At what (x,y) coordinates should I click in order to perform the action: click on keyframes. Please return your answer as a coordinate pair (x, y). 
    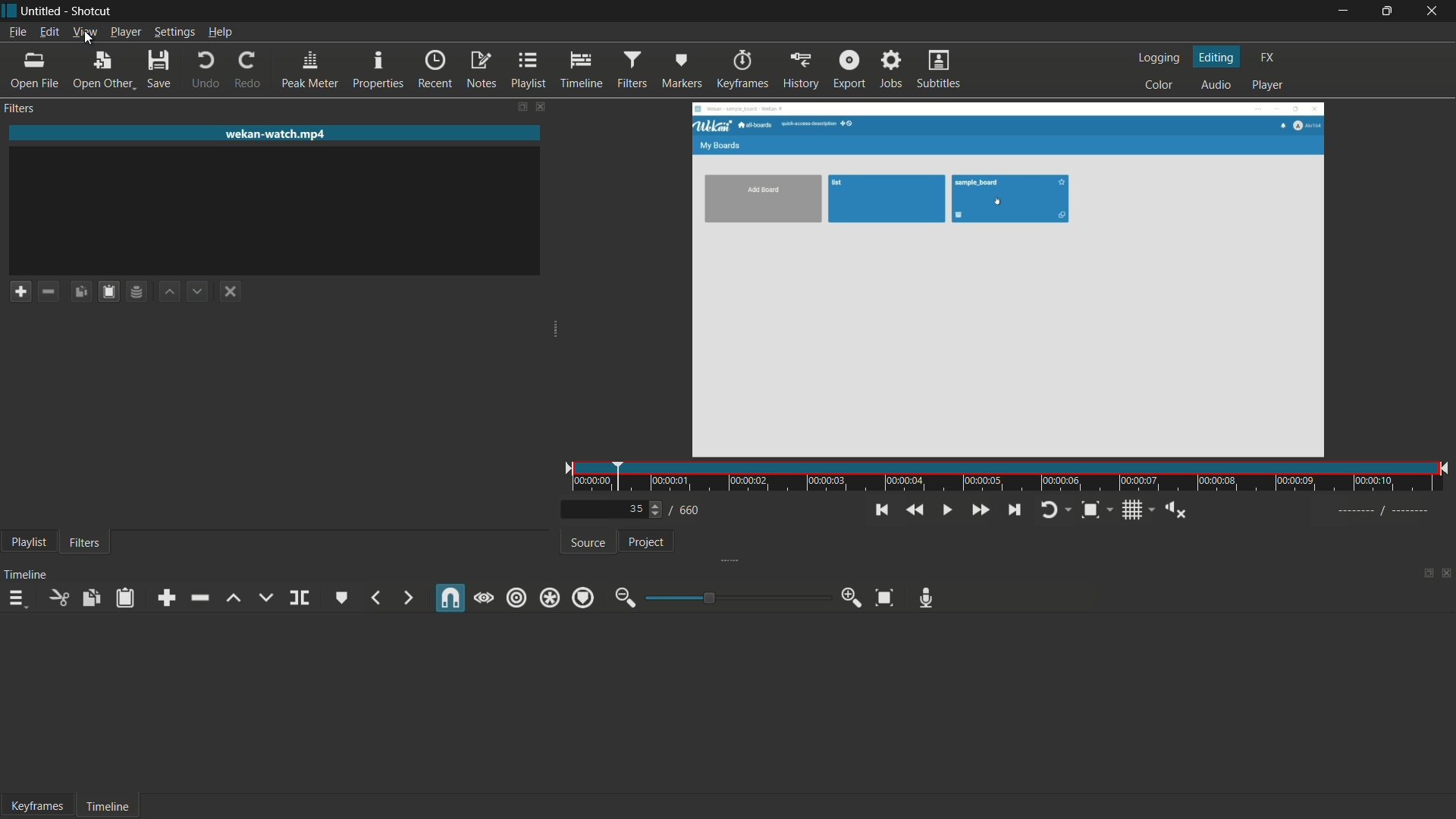
    Looking at the image, I should click on (742, 71).